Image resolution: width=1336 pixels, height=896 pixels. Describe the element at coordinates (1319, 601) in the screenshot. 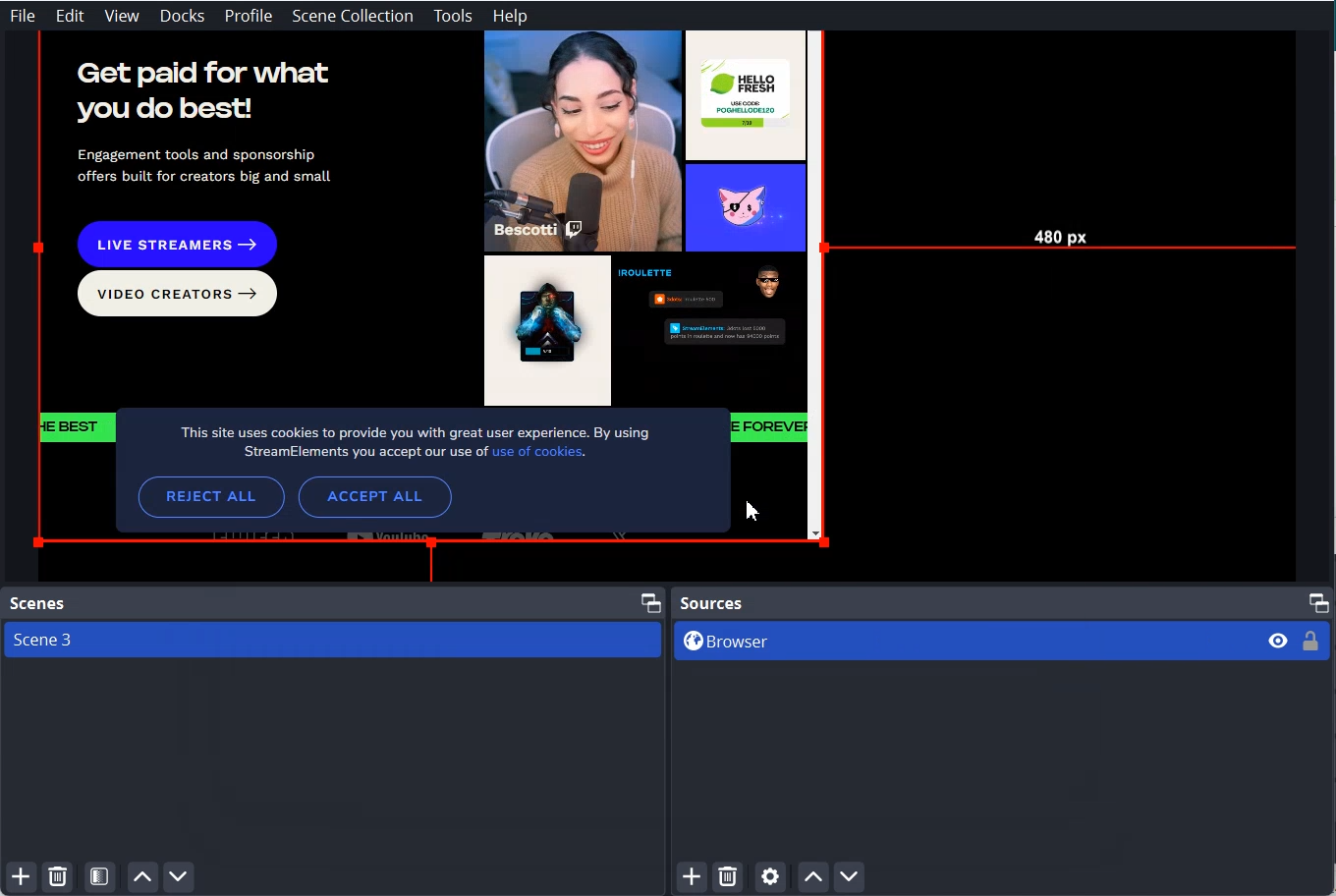

I see `Maximize` at that location.